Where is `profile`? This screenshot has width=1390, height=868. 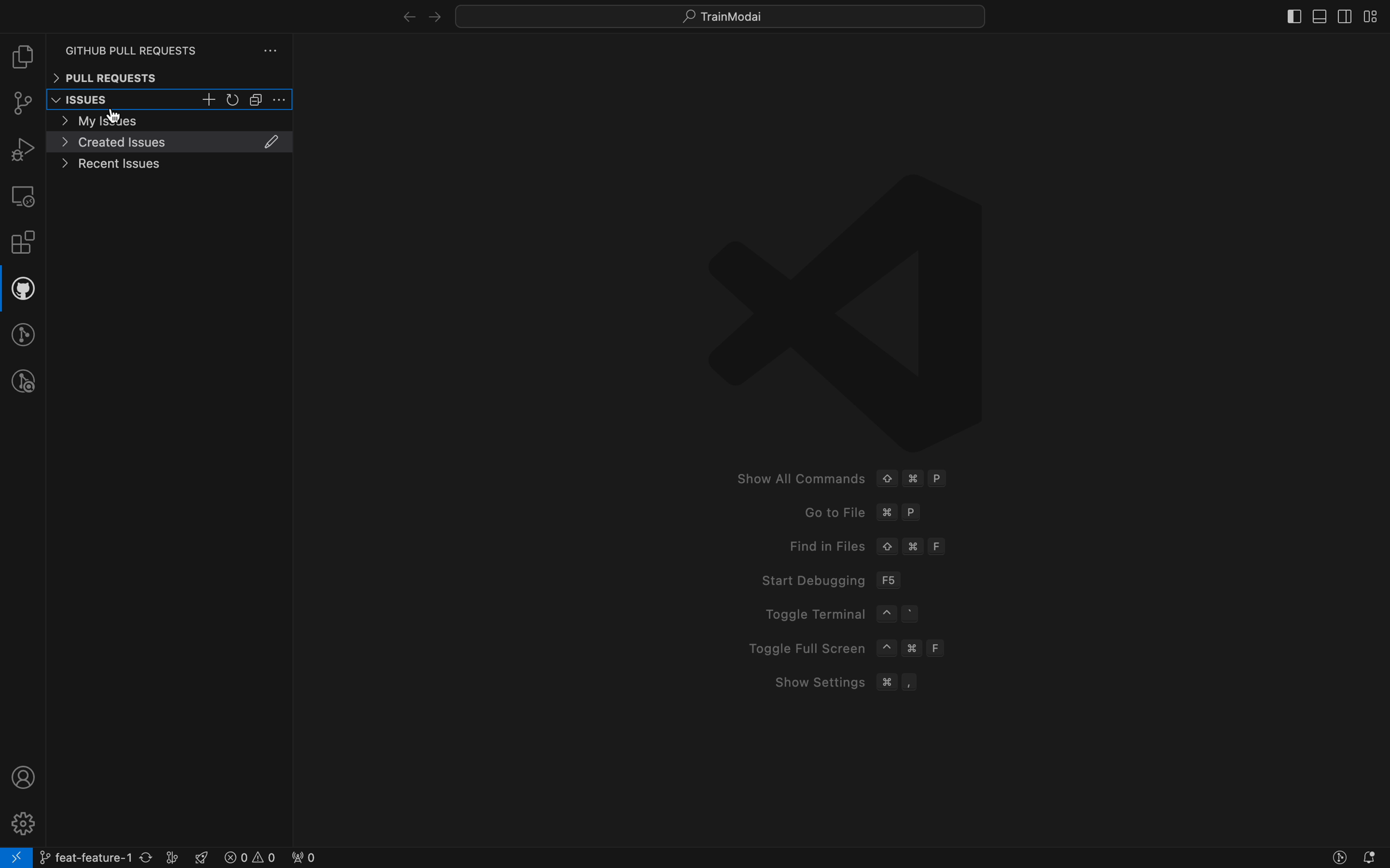 profile is located at coordinates (20, 777).